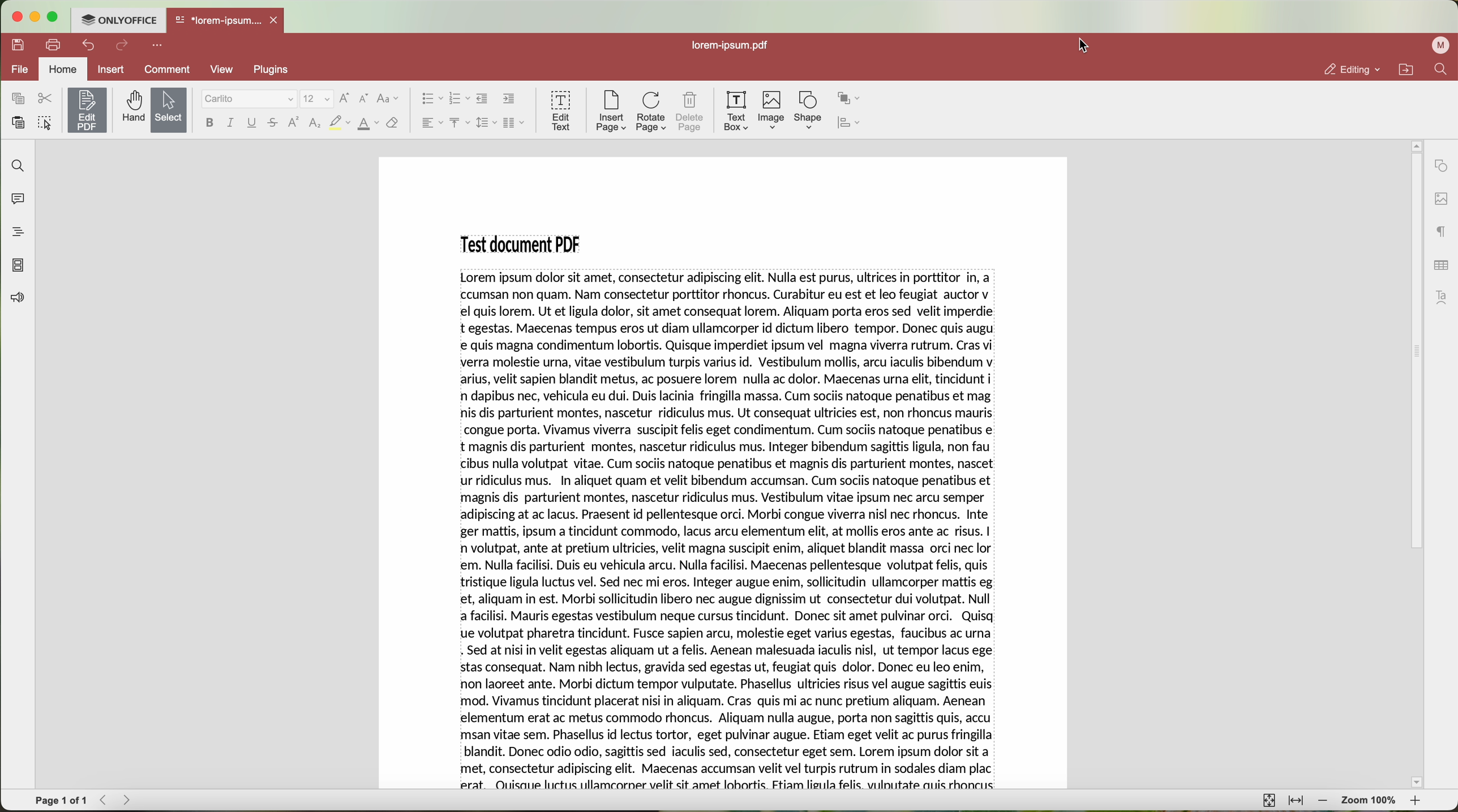 The height and width of the screenshot is (812, 1458). Describe the element at coordinates (738, 111) in the screenshot. I see `text box` at that location.